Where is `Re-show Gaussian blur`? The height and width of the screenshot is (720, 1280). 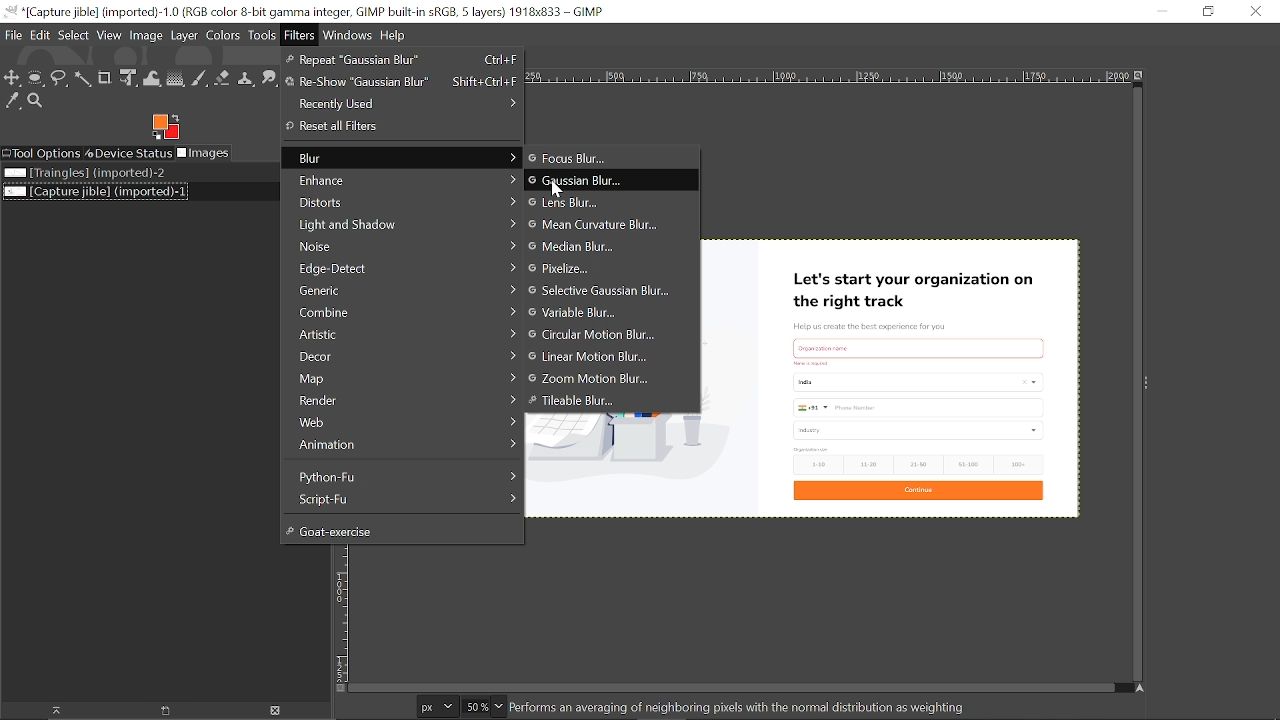 Re-show Gaussian blur is located at coordinates (401, 82).